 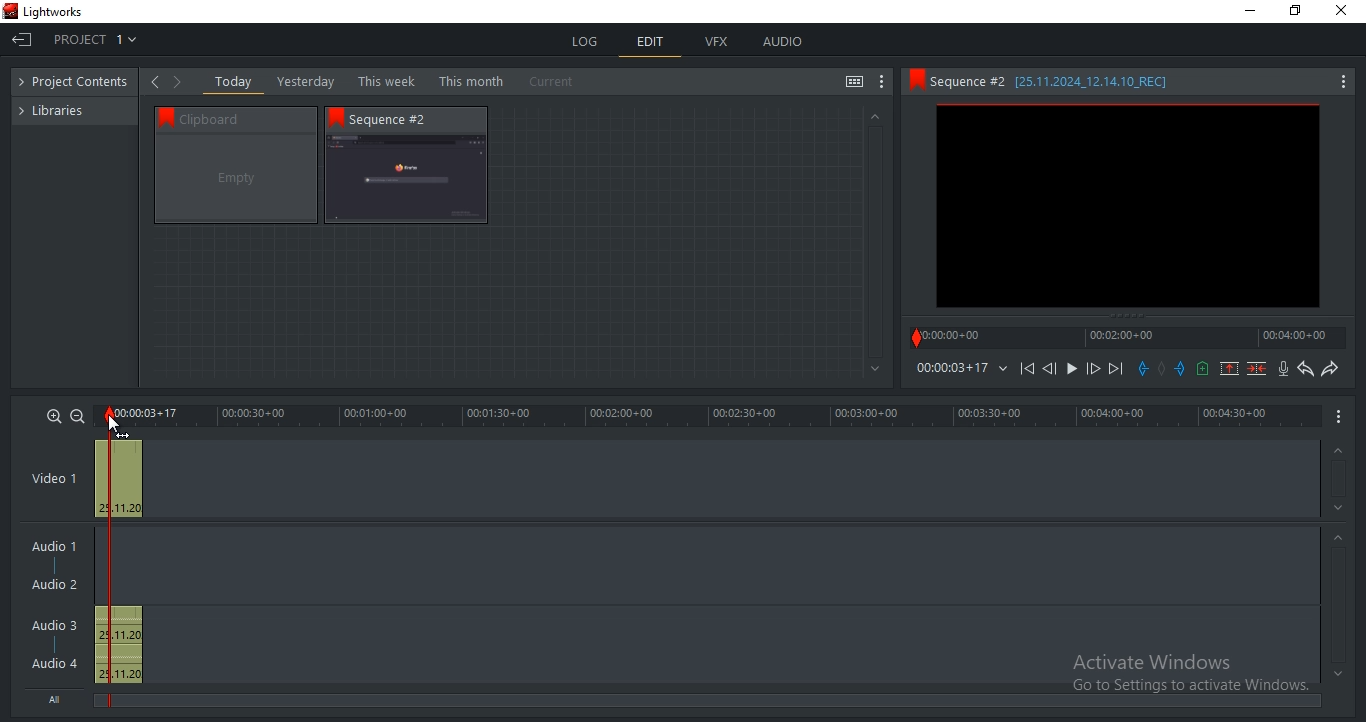 What do you see at coordinates (236, 179) in the screenshot?
I see `clipboard` at bounding box center [236, 179].